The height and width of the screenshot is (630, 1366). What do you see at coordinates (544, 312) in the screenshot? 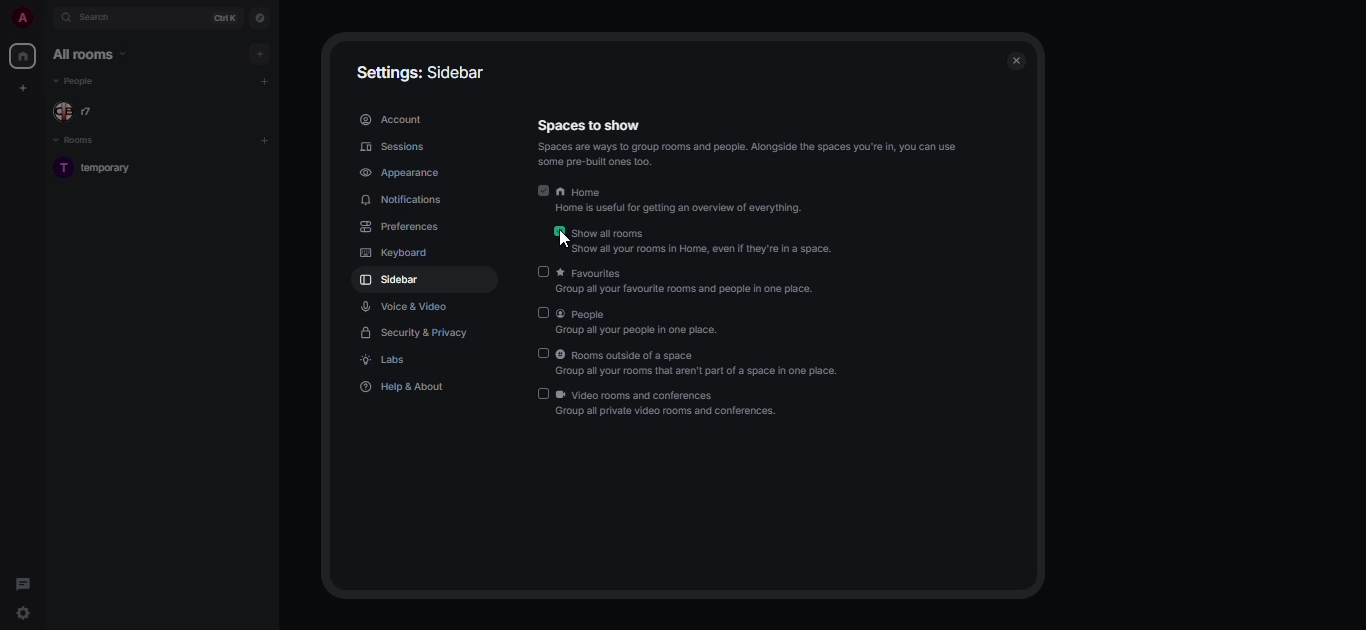
I see `disabled` at bounding box center [544, 312].